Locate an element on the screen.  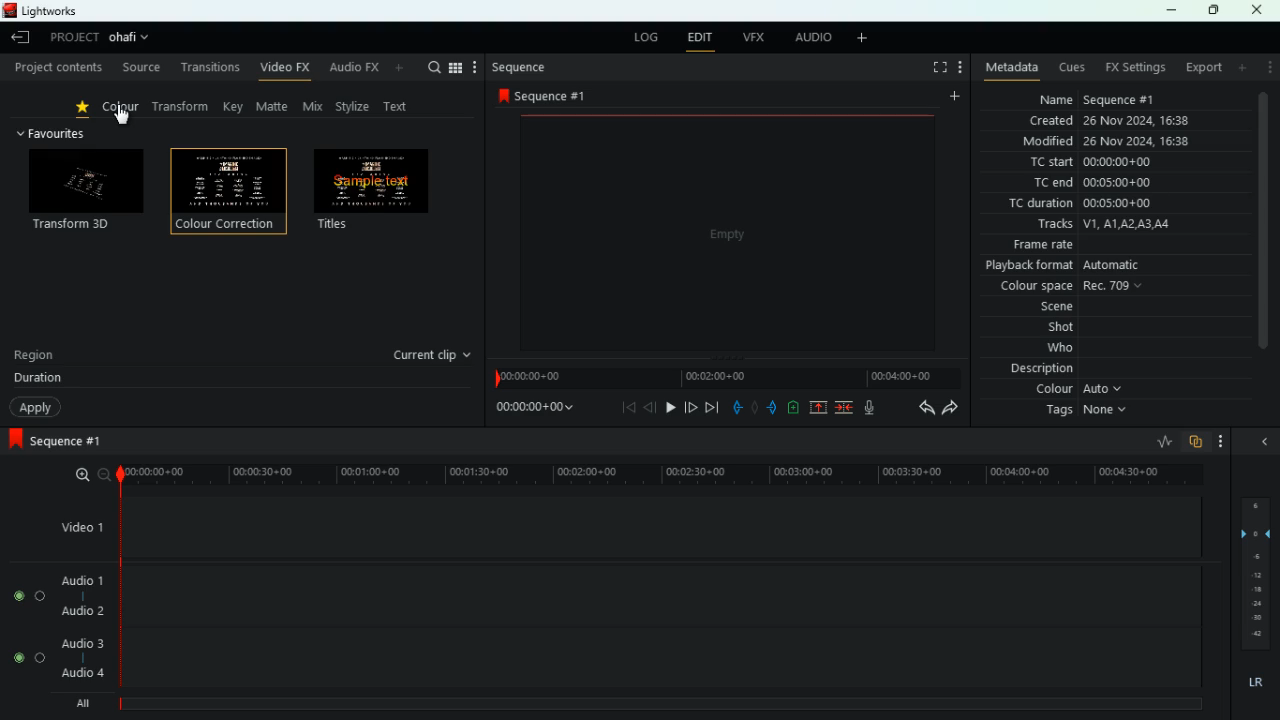
scene is located at coordinates (1034, 308).